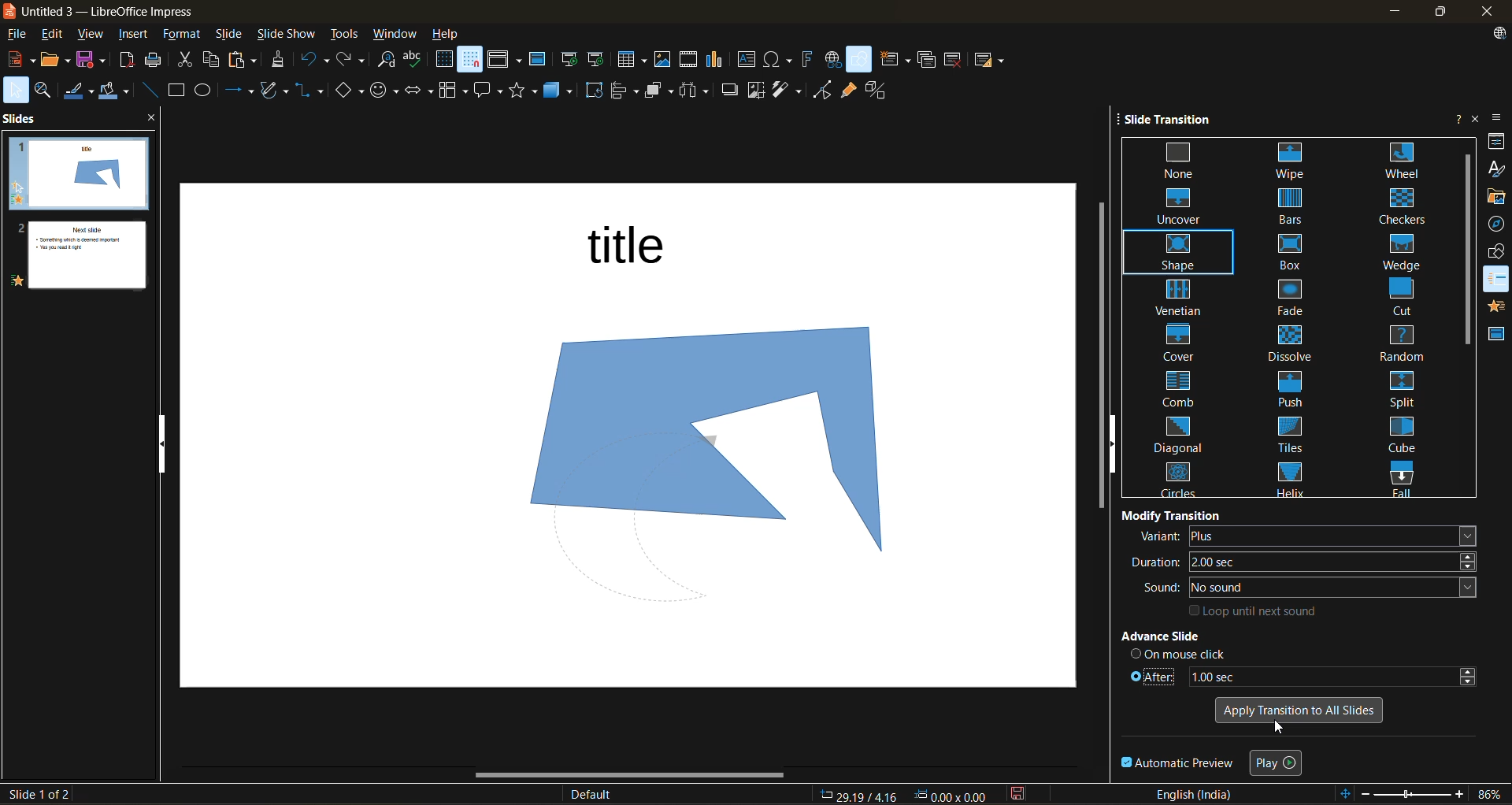  What do you see at coordinates (596, 91) in the screenshot?
I see `rotate` at bounding box center [596, 91].